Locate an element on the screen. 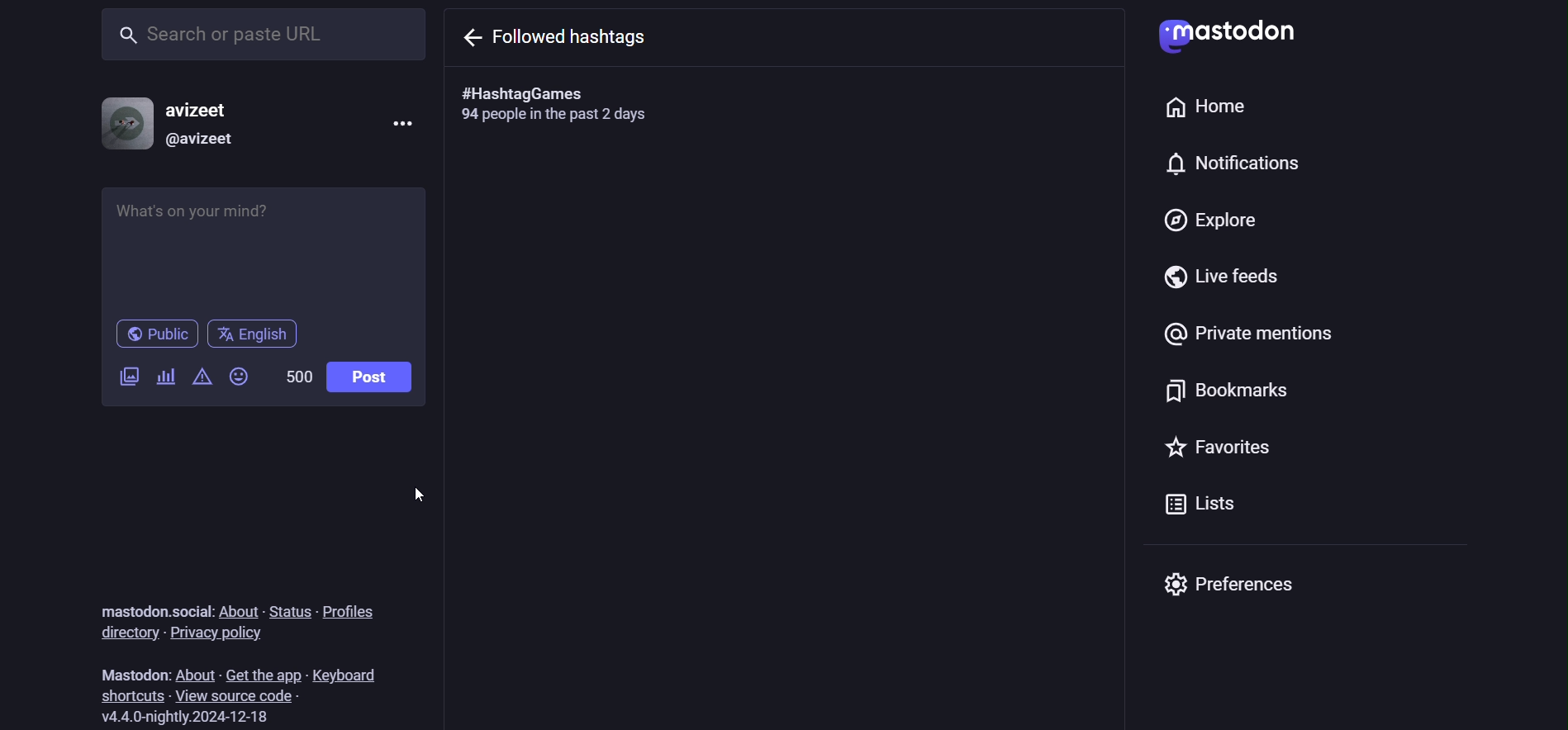 Image resolution: width=1568 pixels, height=730 pixels. status is located at coordinates (287, 611).